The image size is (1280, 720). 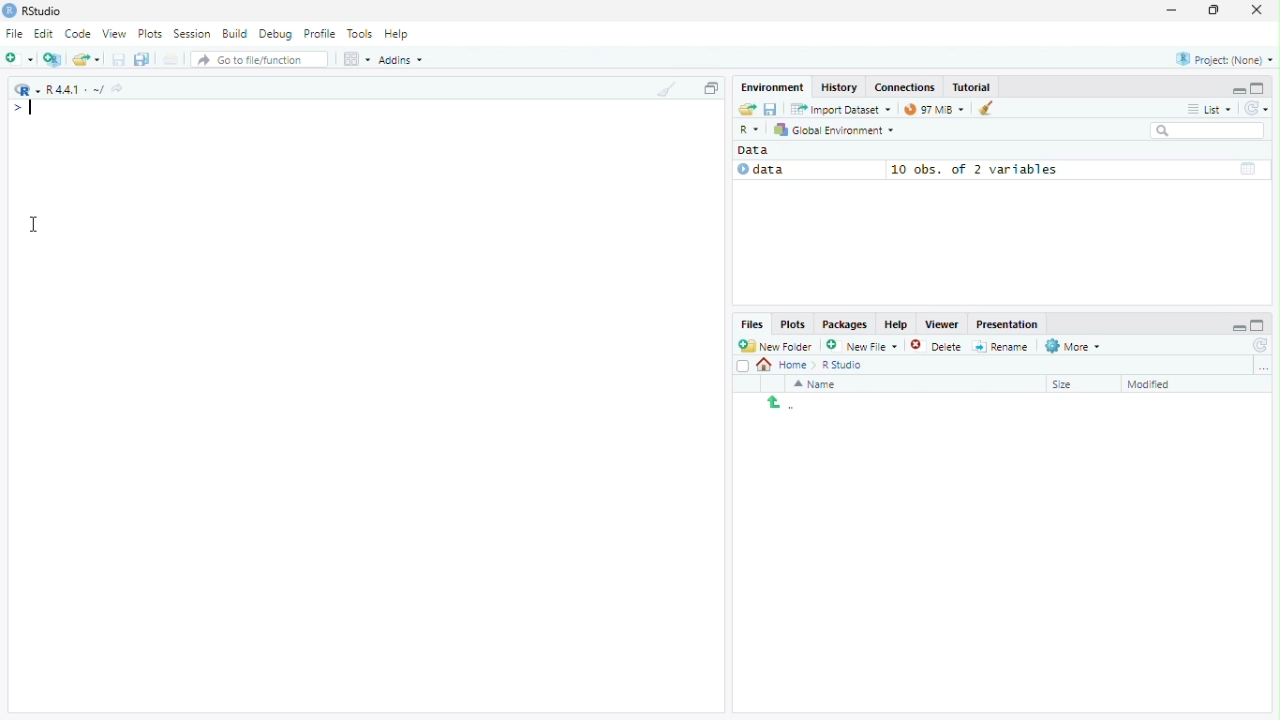 I want to click on Cursor, so click(x=36, y=223).